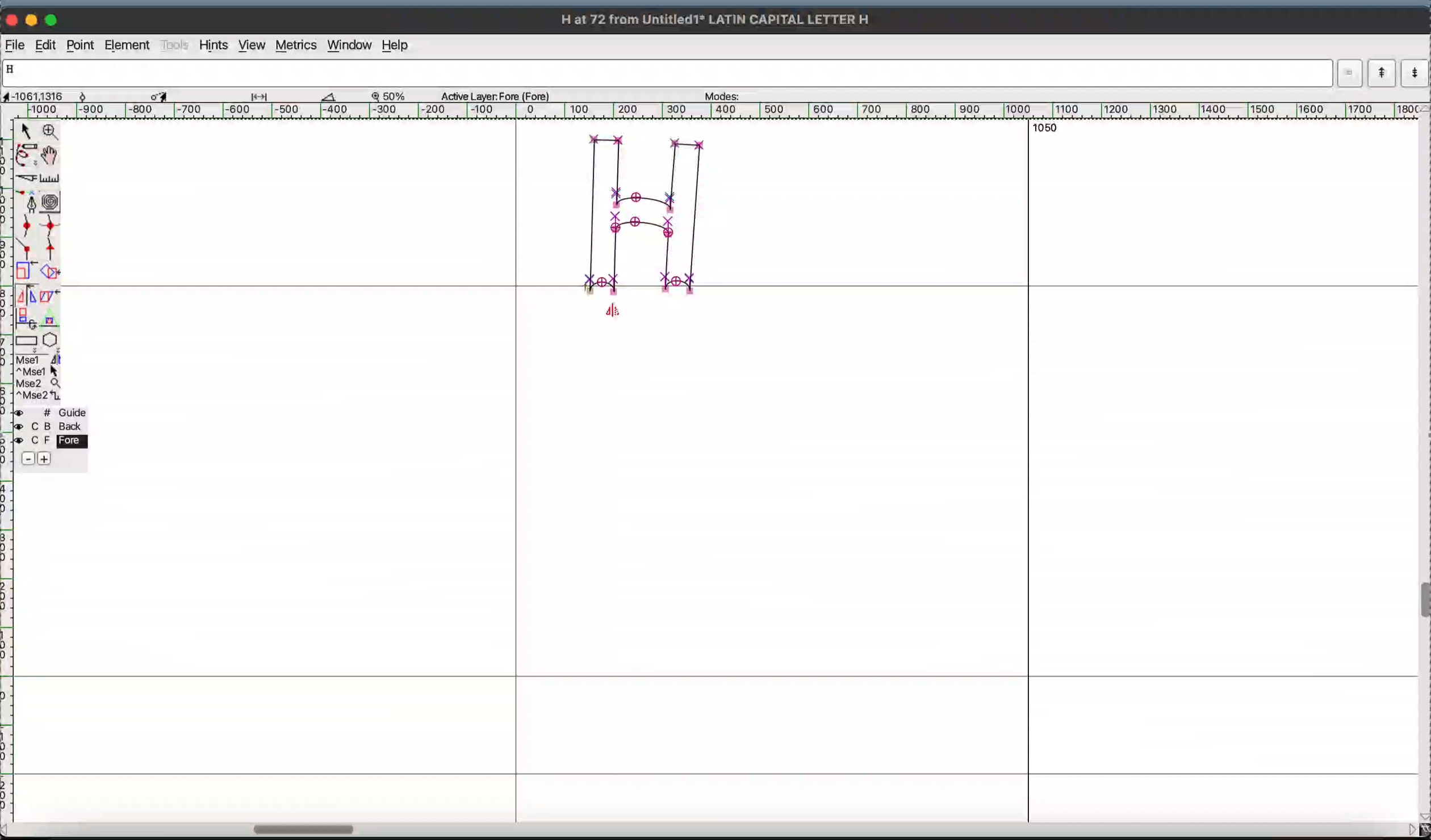 This screenshot has width=1431, height=840. What do you see at coordinates (398, 43) in the screenshot?
I see `help` at bounding box center [398, 43].